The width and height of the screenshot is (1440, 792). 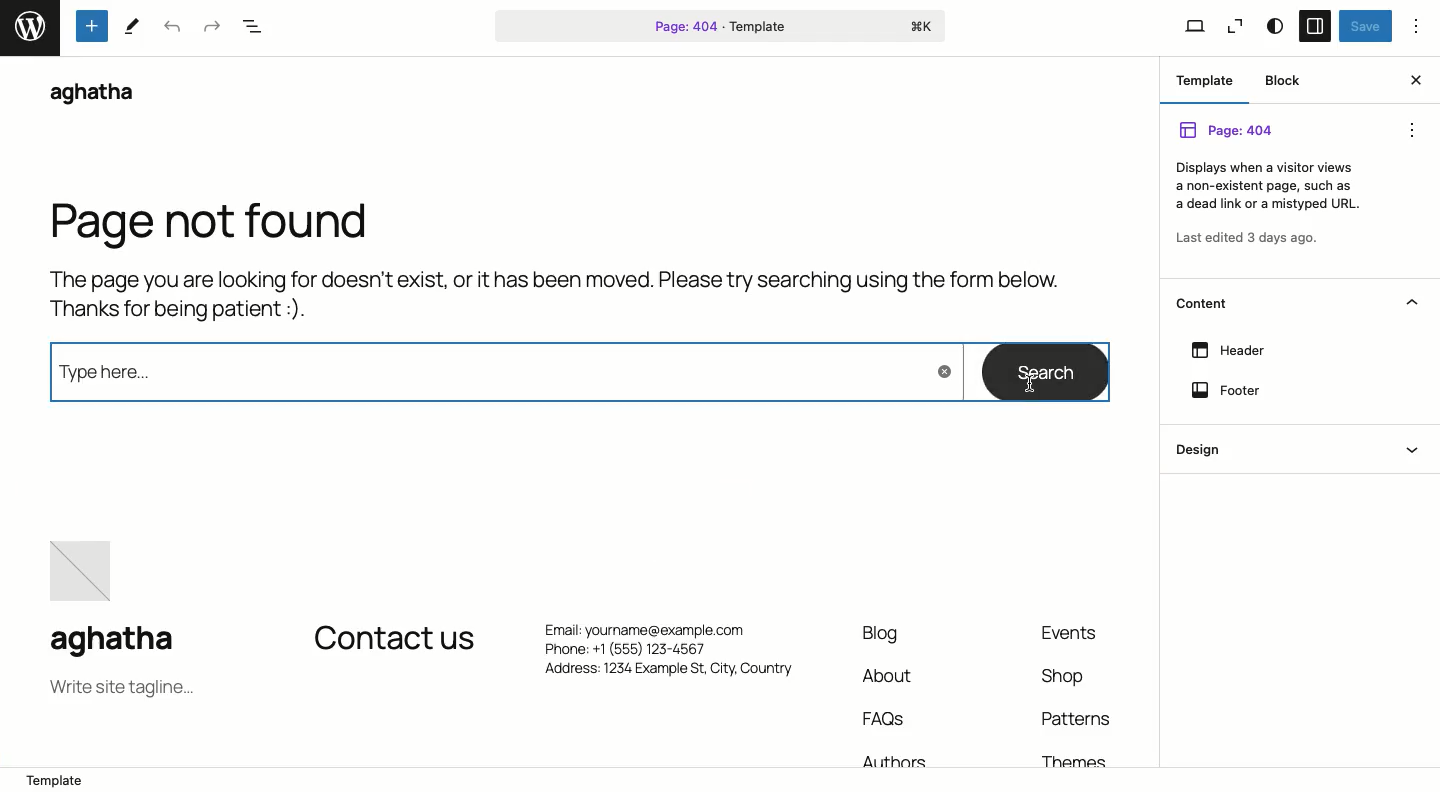 What do you see at coordinates (29, 28) in the screenshot?
I see `word press logo` at bounding box center [29, 28].